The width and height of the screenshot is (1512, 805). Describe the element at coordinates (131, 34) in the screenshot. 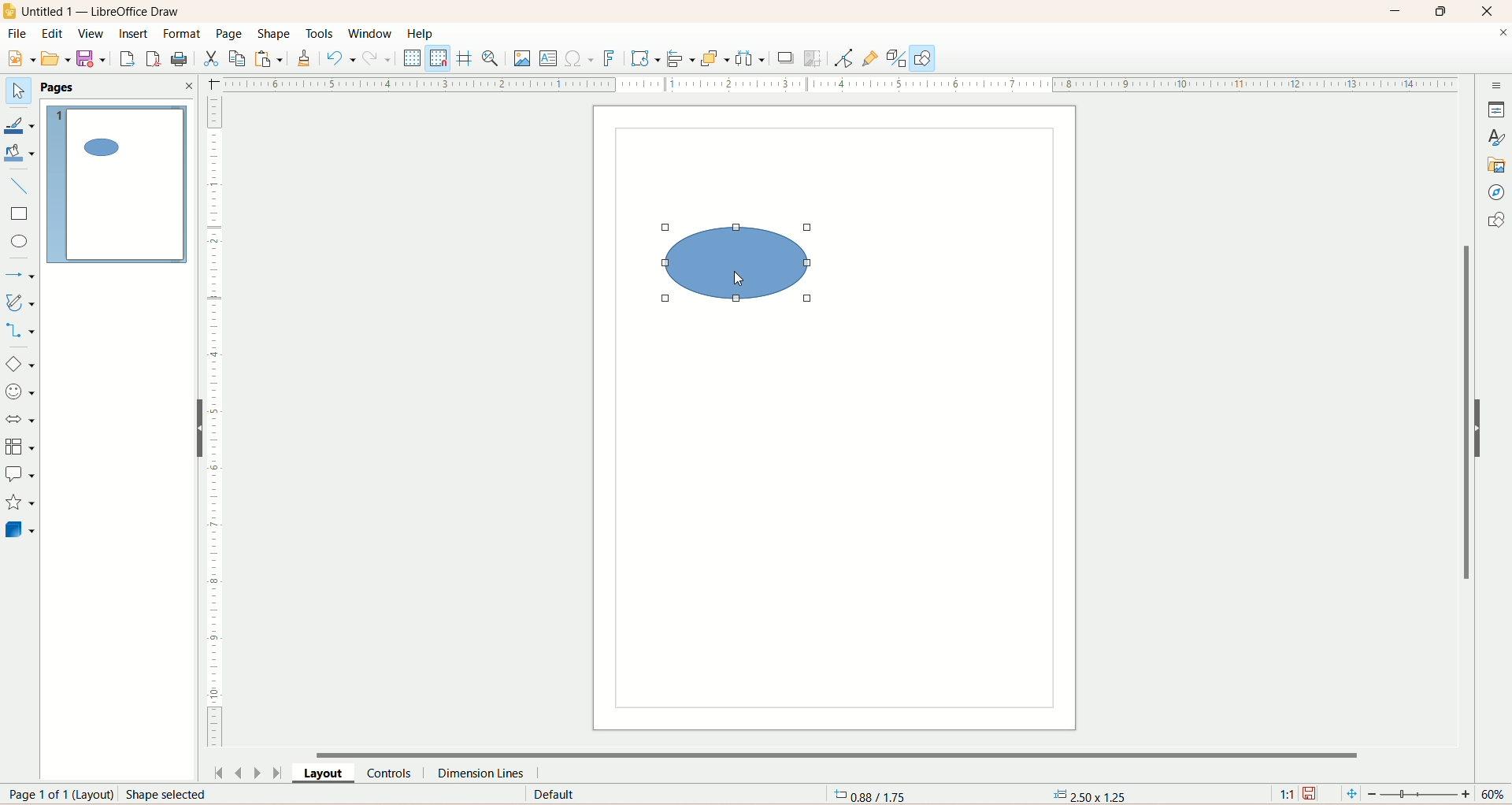

I see `insert` at that location.